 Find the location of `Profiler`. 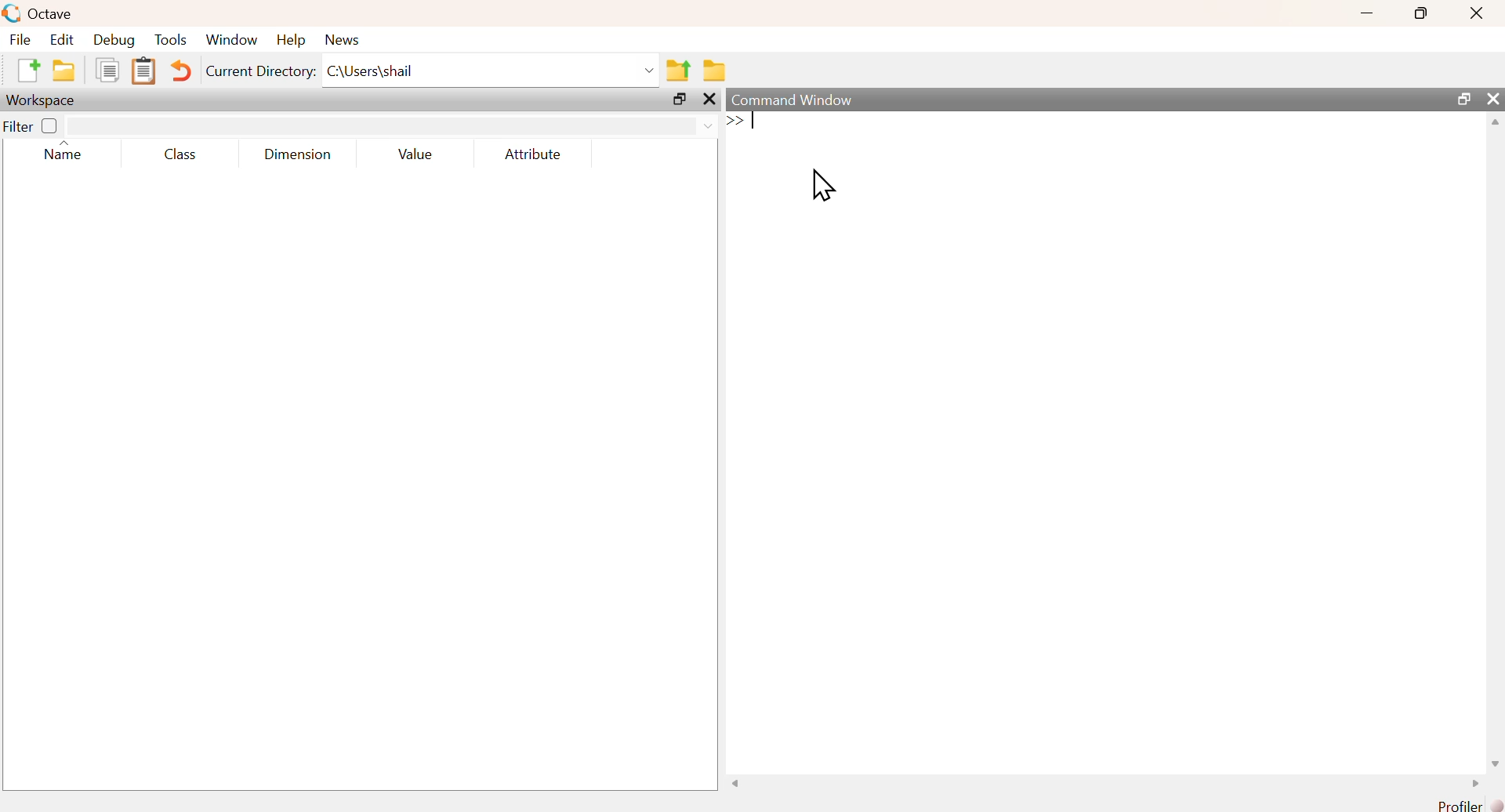

Profiler is located at coordinates (1467, 804).